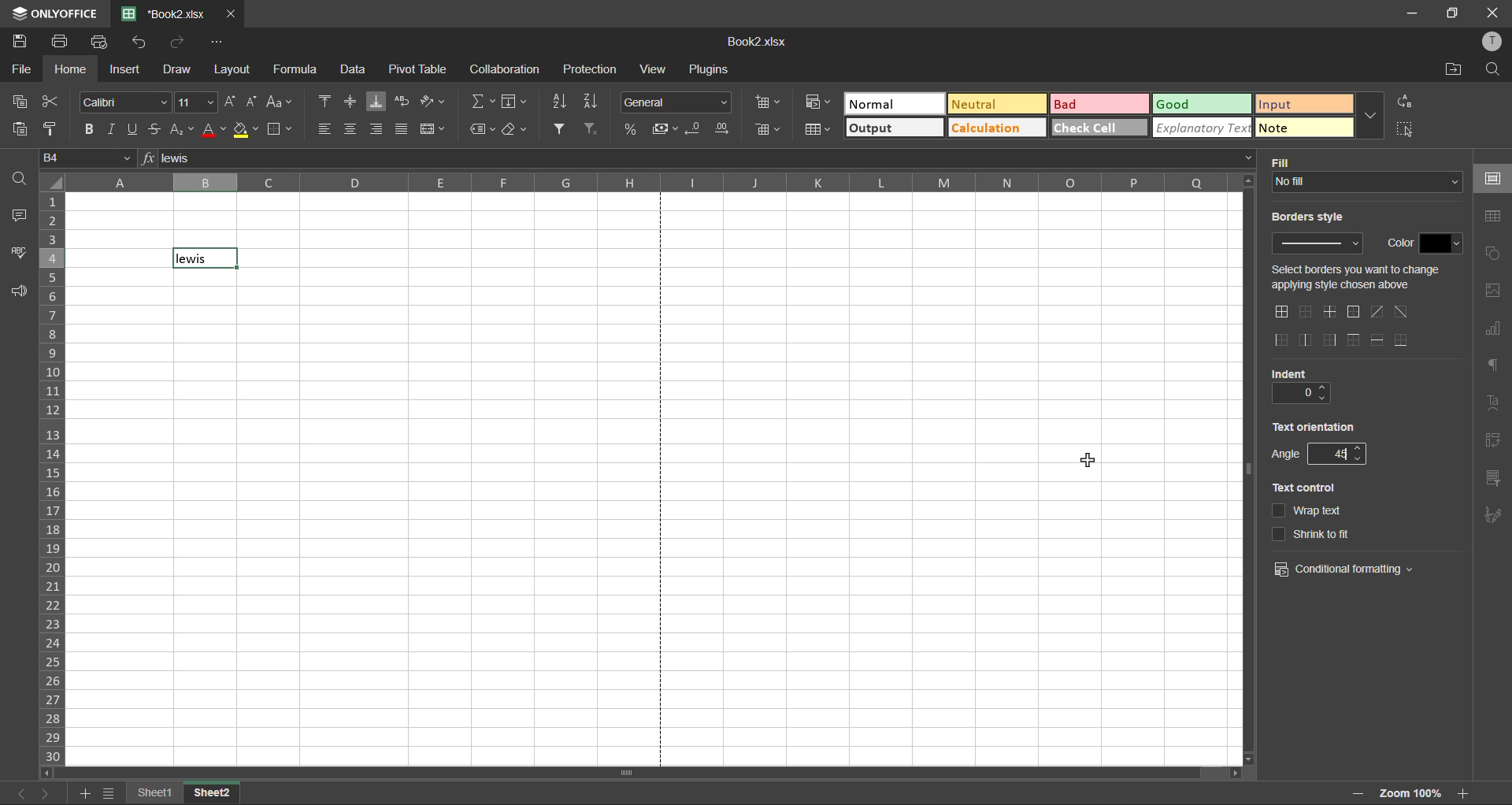  What do you see at coordinates (401, 128) in the screenshot?
I see `justified` at bounding box center [401, 128].